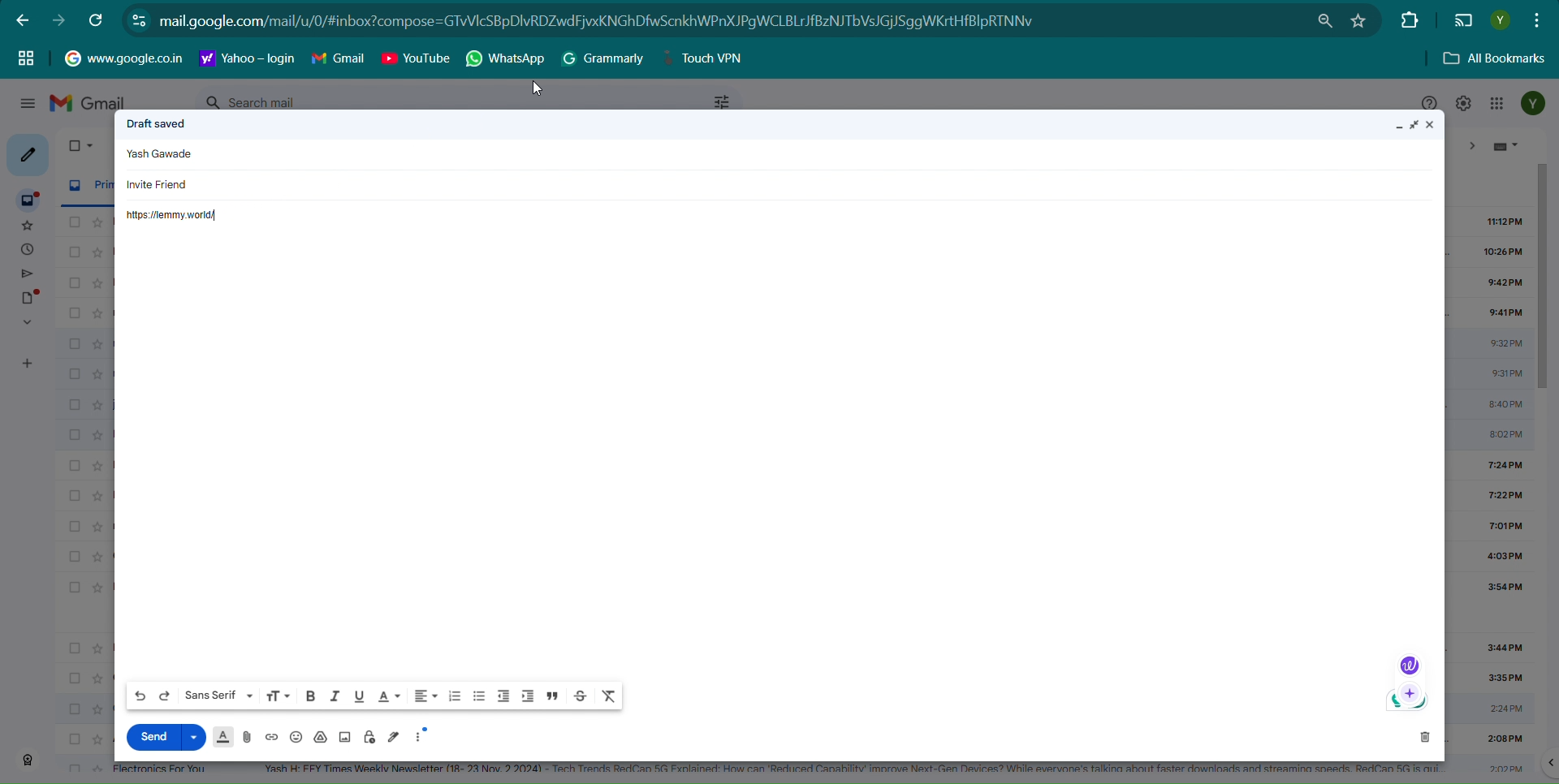  I want to click on Gmail, so click(339, 58).